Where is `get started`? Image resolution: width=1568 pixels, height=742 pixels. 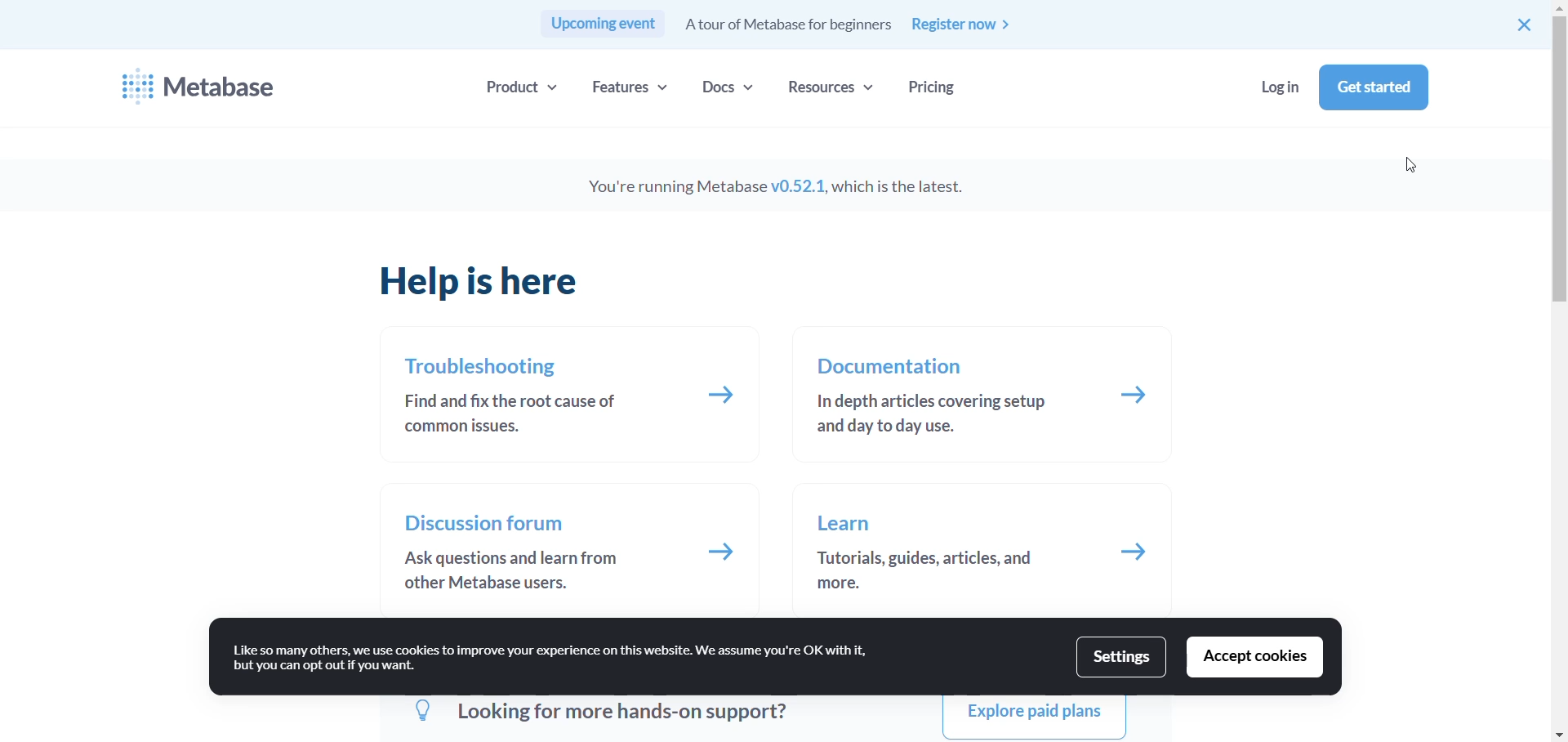 get started is located at coordinates (1375, 88).